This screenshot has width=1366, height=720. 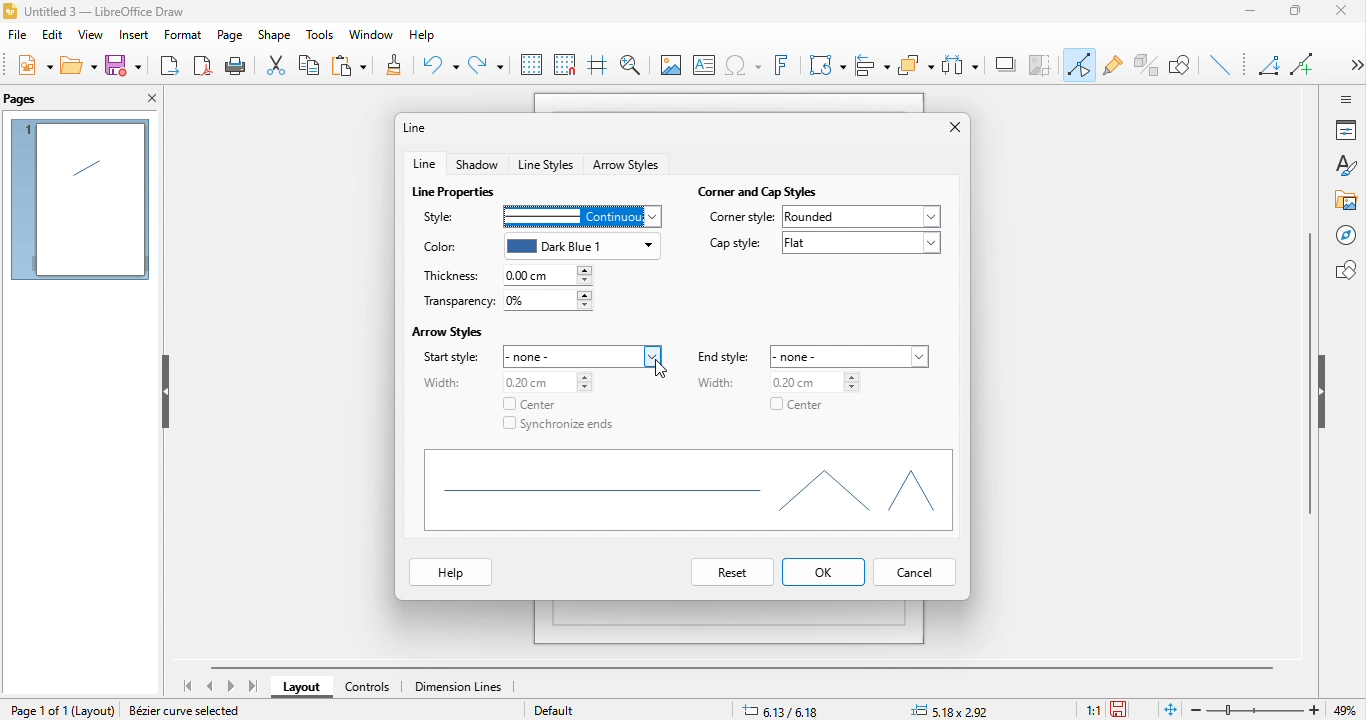 What do you see at coordinates (668, 64) in the screenshot?
I see `image` at bounding box center [668, 64].